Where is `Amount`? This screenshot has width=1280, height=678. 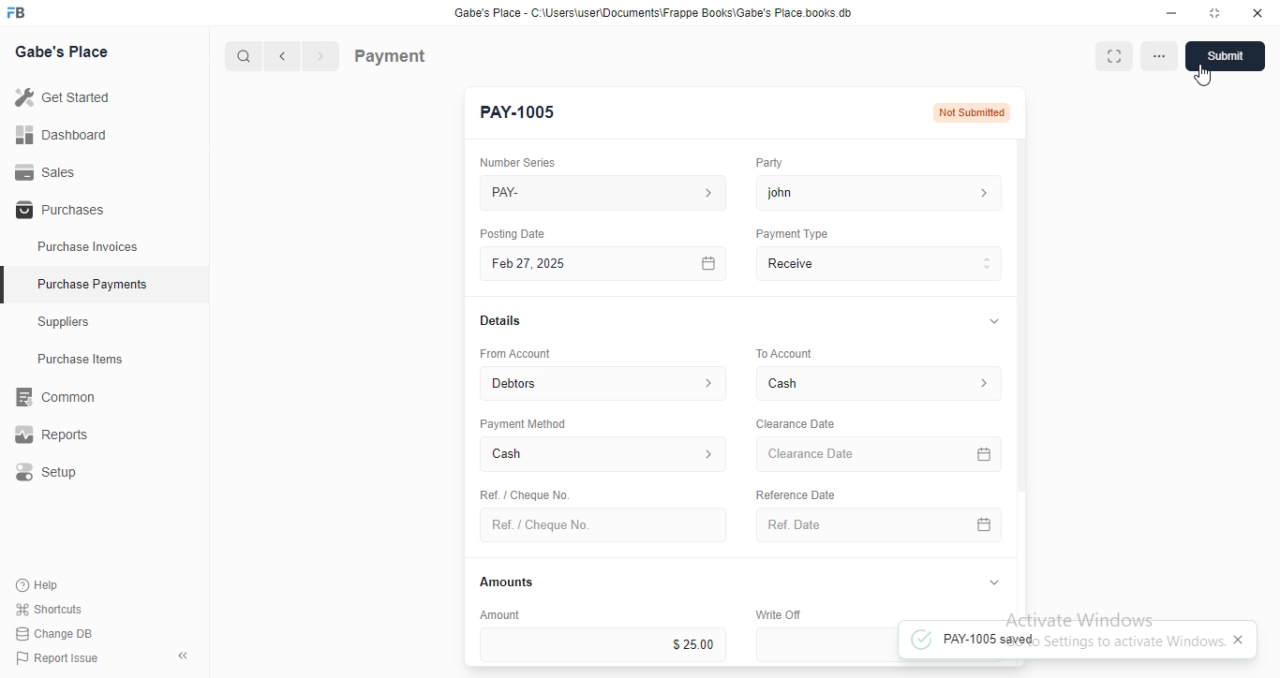
Amount is located at coordinates (497, 614).